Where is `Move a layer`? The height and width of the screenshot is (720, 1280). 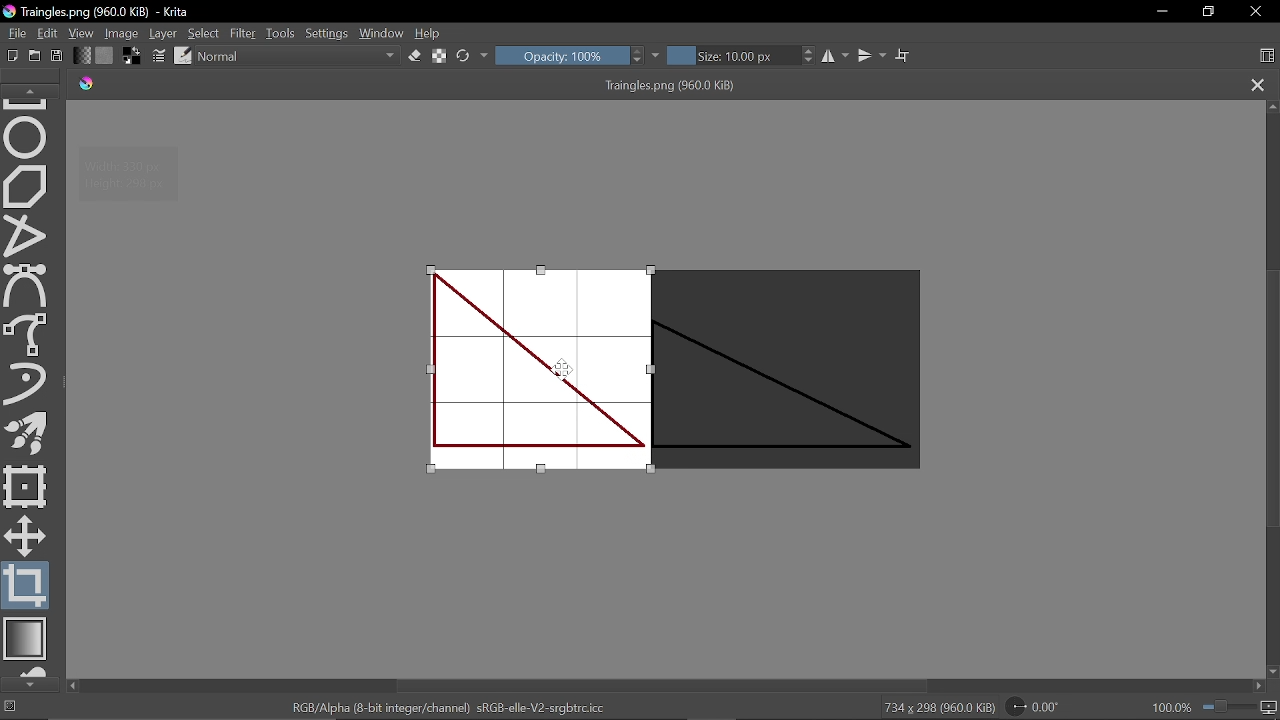
Move a layer is located at coordinates (23, 534).